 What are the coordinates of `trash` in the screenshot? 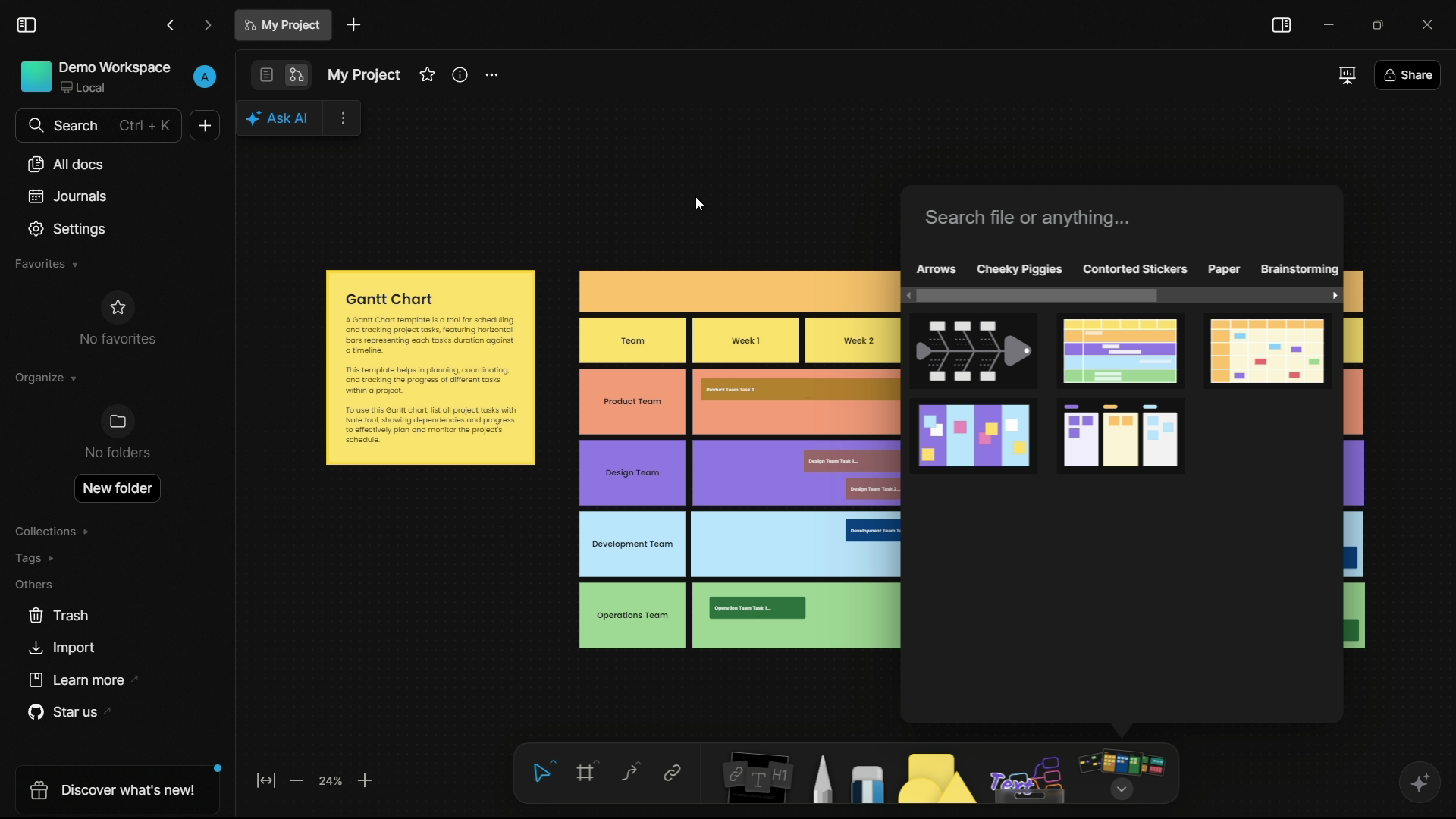 It's located at (58, 617).